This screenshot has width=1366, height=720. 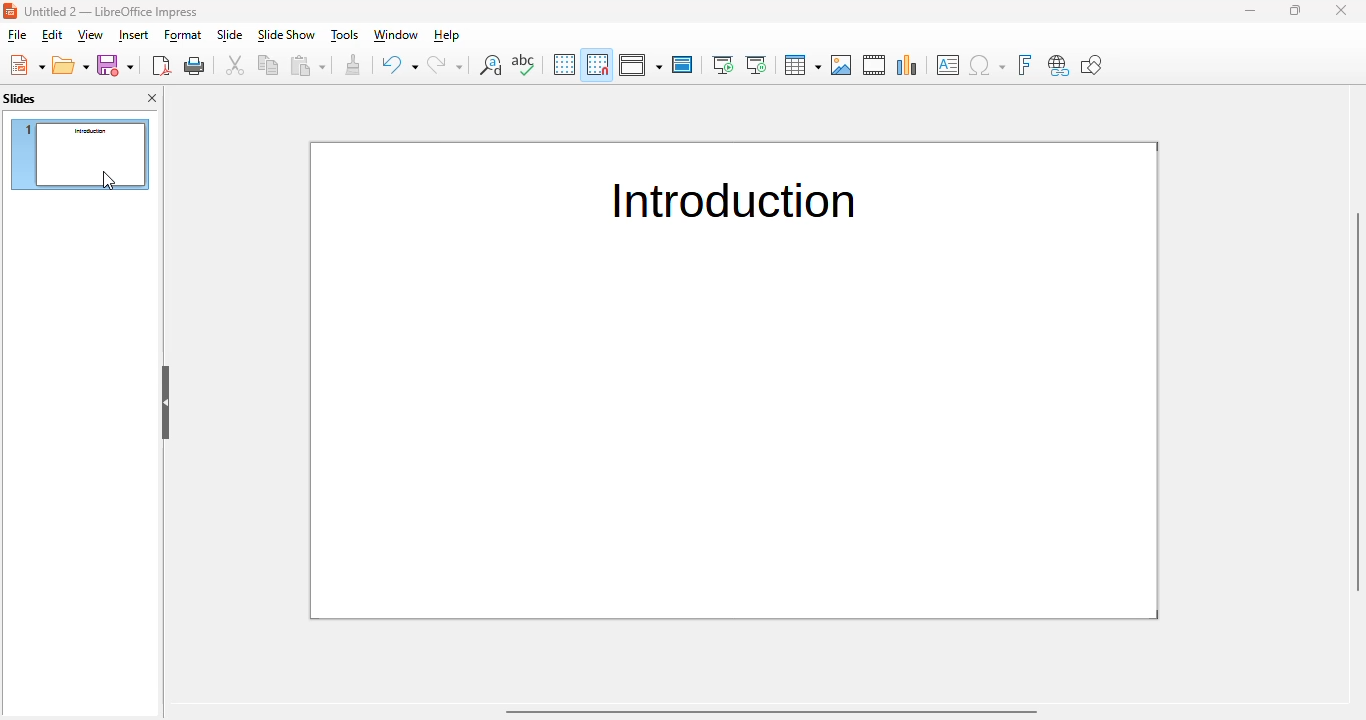 What do you see at coordinates (723, 65) in the screenshot?
I see `start from first slide` at bounding box center [723, 65].